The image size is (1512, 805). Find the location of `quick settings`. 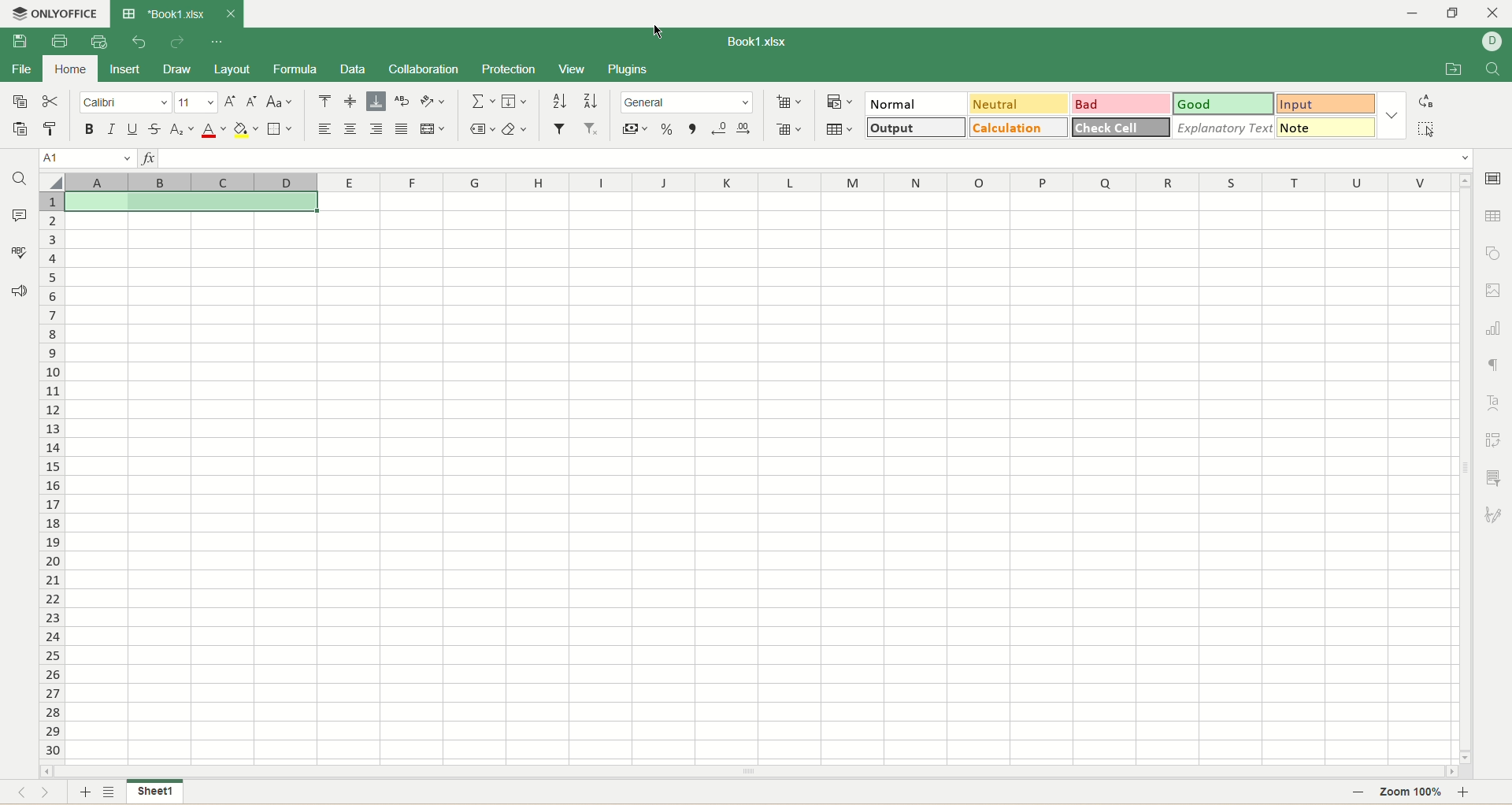

quick settings is located at coordinates (217, 44).